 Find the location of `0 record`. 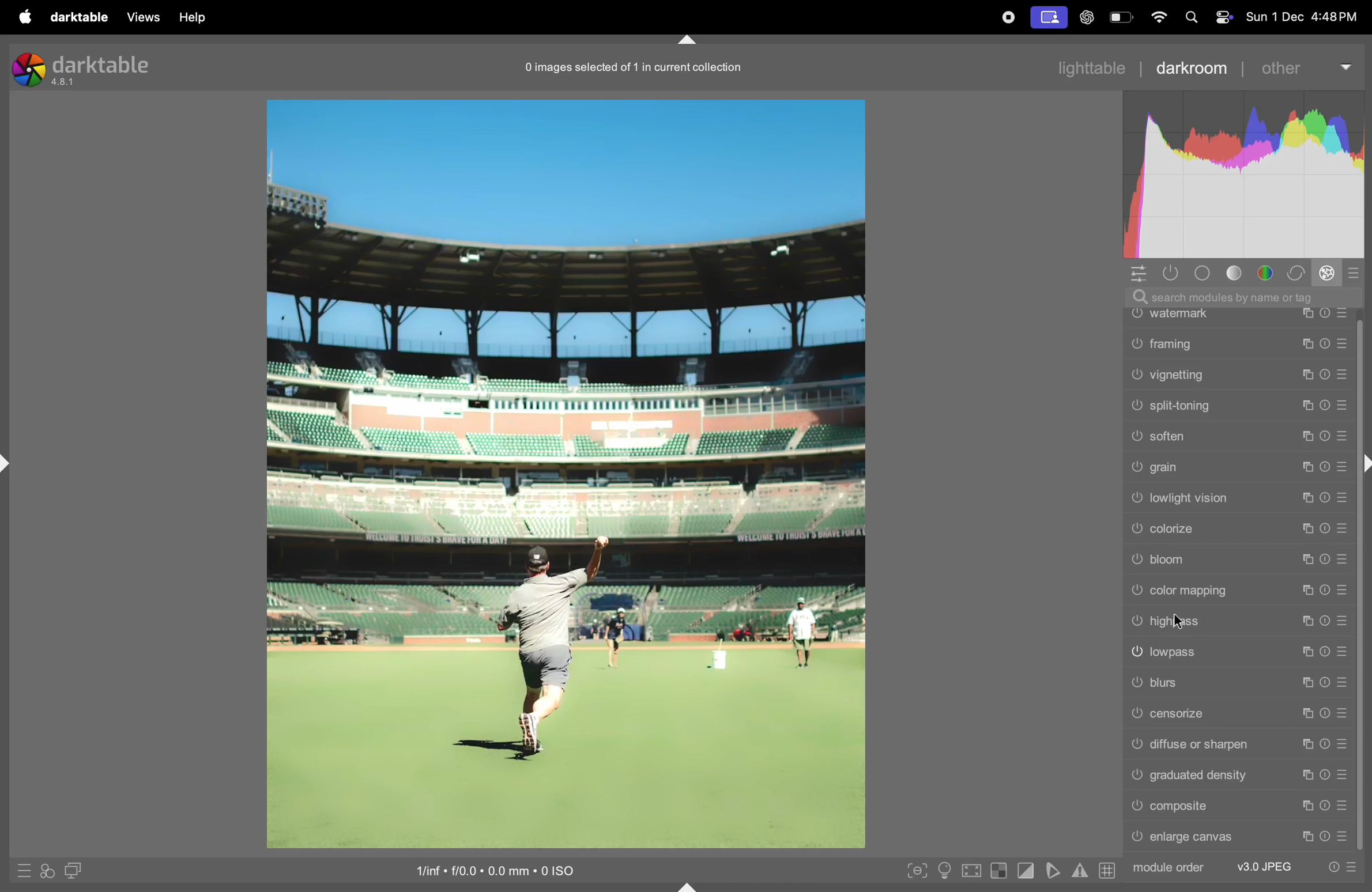

0 record is located at coordinates (636, 66).